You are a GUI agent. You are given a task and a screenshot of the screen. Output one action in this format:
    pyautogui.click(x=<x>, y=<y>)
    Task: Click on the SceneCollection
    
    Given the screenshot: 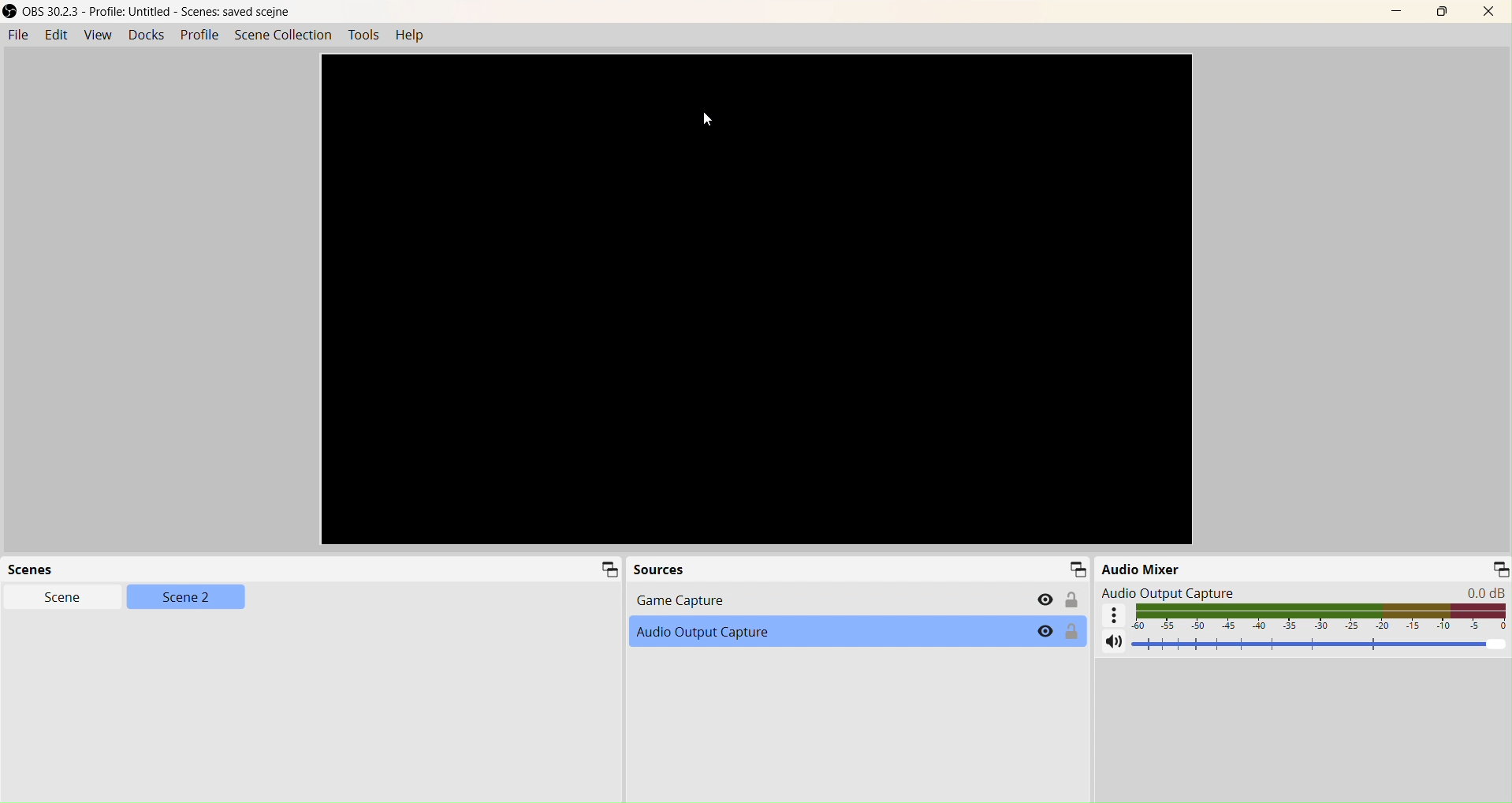 What is the action you would take?
    pyautogui.click(x=282, y=36)
    